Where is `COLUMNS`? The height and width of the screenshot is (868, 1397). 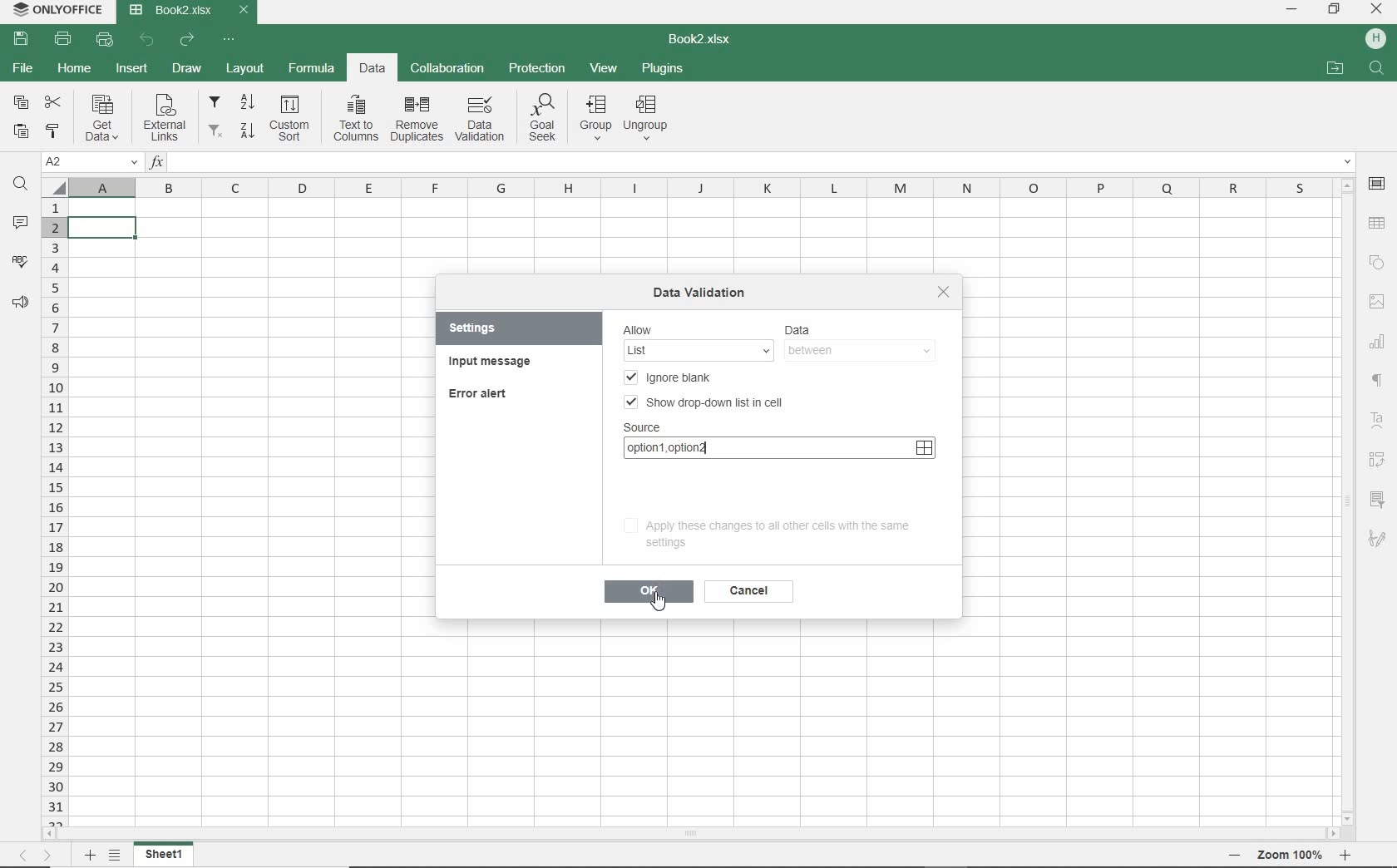 COLUMNS is located at coordinates (701, 186).